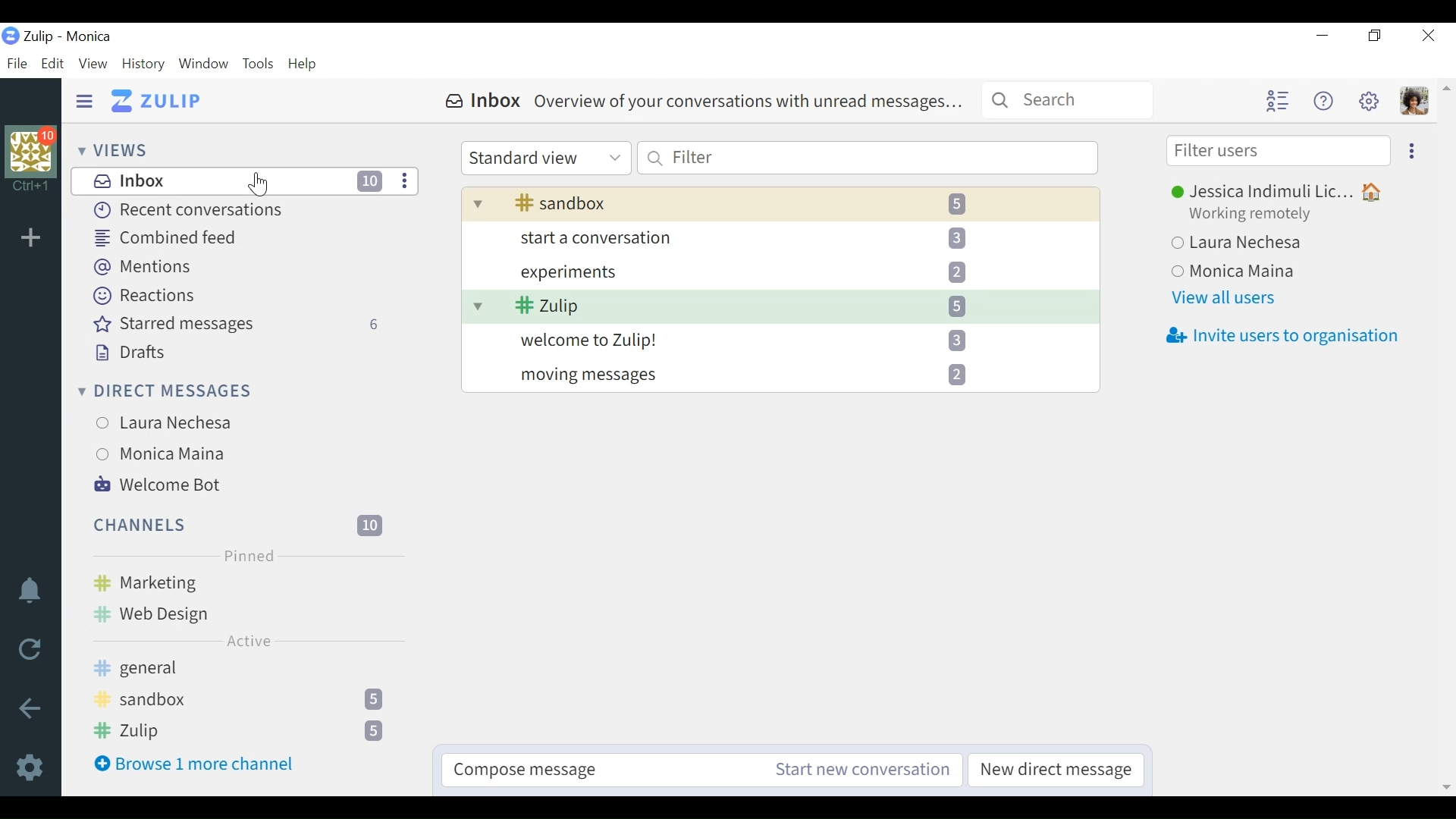  What do you see at coordinates (701, 104) in the screenshot?
I see `Inbox ` at bounding box center [701, 104].